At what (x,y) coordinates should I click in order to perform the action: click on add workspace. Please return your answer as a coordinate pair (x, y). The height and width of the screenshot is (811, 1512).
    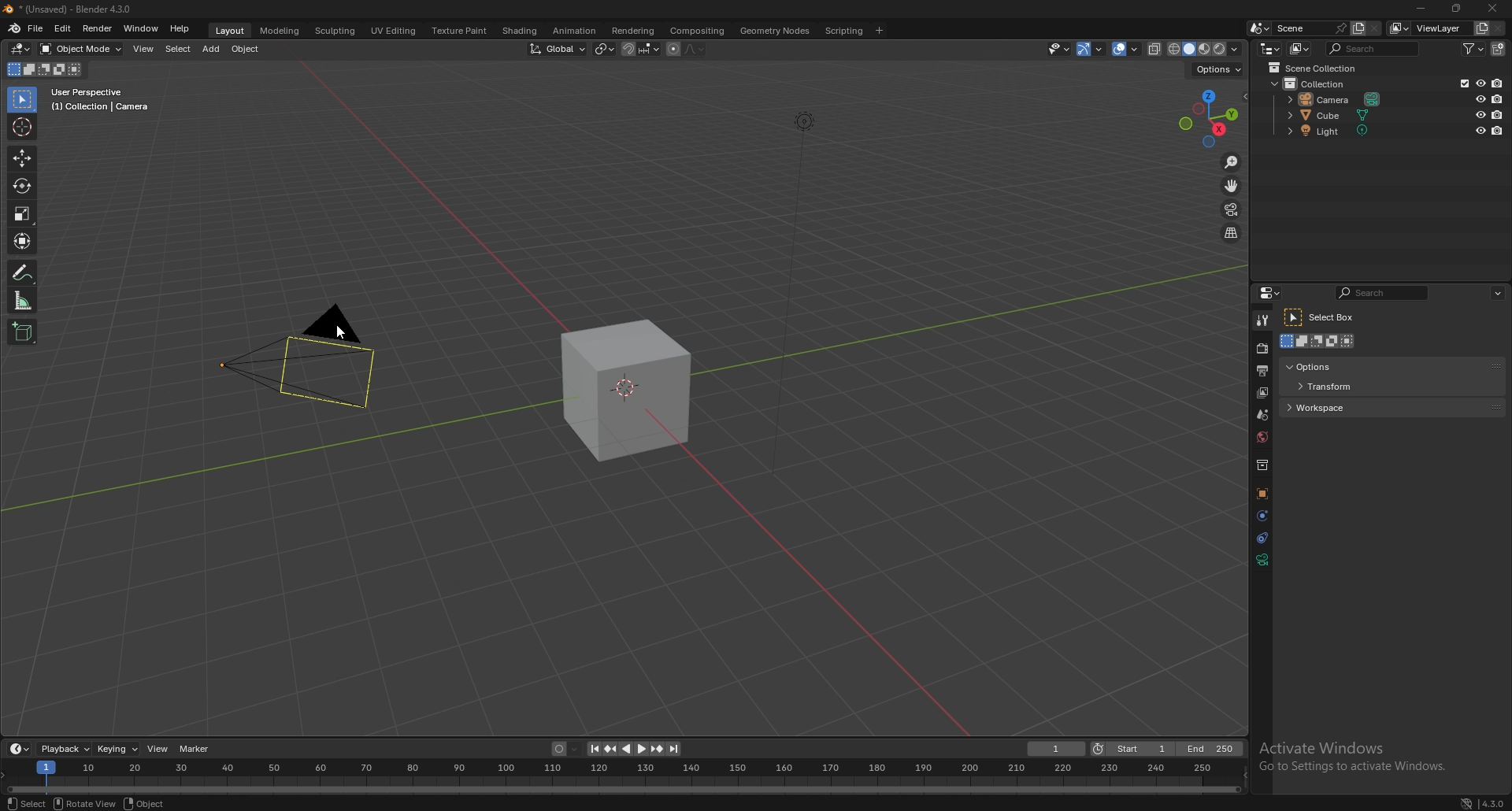
    Looking at the image, I should click on (880, 29).